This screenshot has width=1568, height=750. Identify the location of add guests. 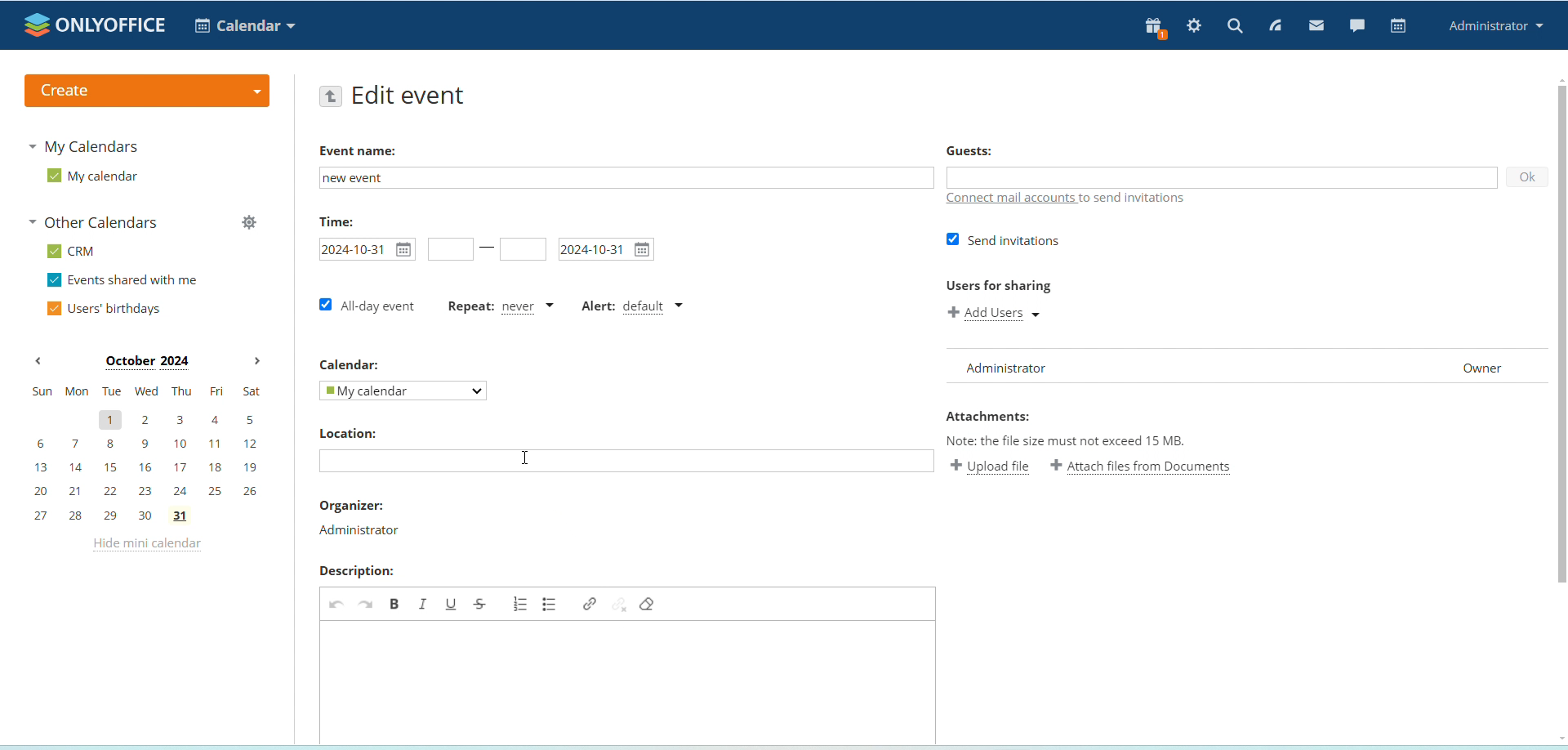
(1220, 178).